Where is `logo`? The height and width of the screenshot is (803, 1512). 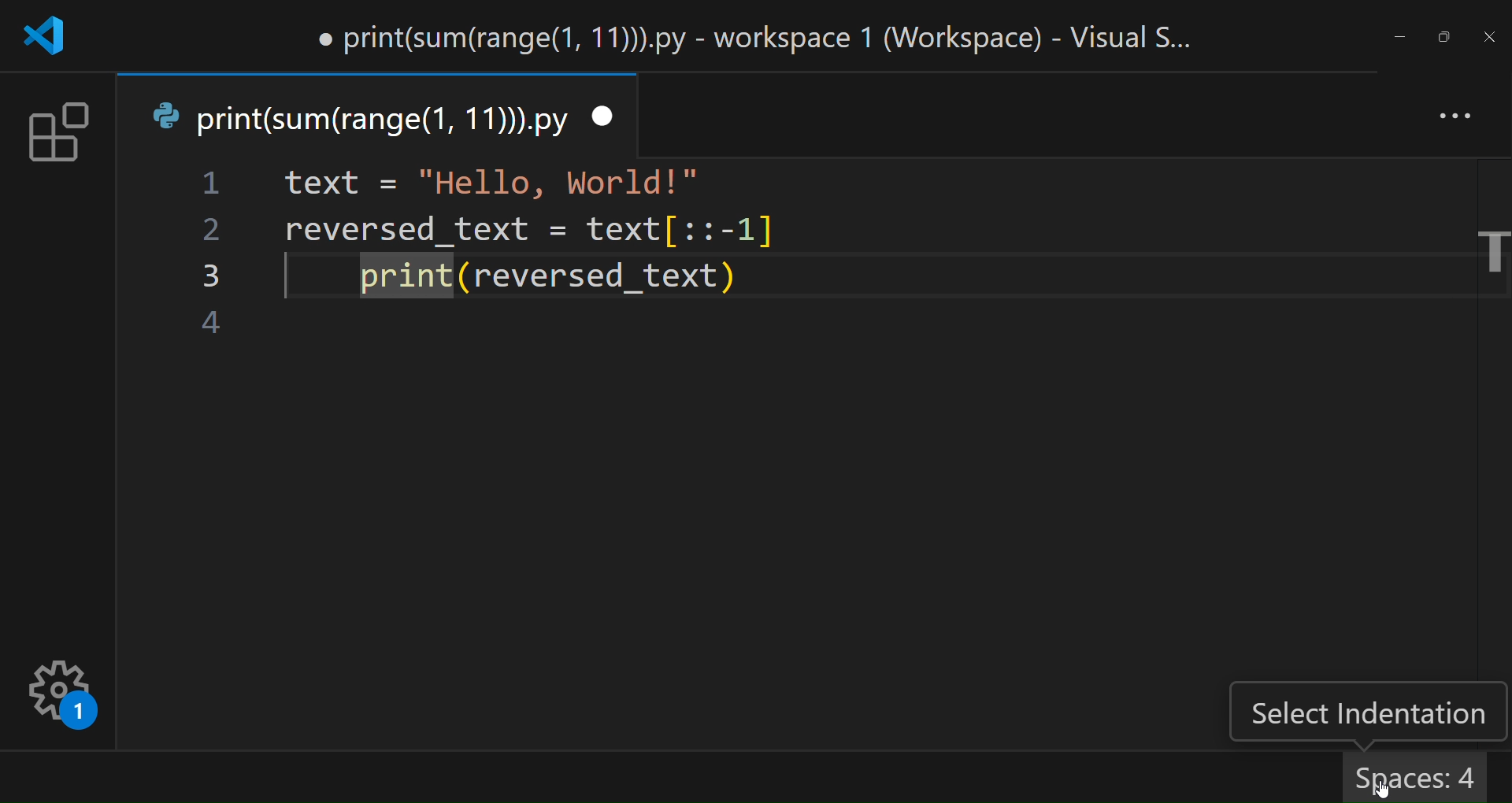 logo is located at coordinates (42, 39).